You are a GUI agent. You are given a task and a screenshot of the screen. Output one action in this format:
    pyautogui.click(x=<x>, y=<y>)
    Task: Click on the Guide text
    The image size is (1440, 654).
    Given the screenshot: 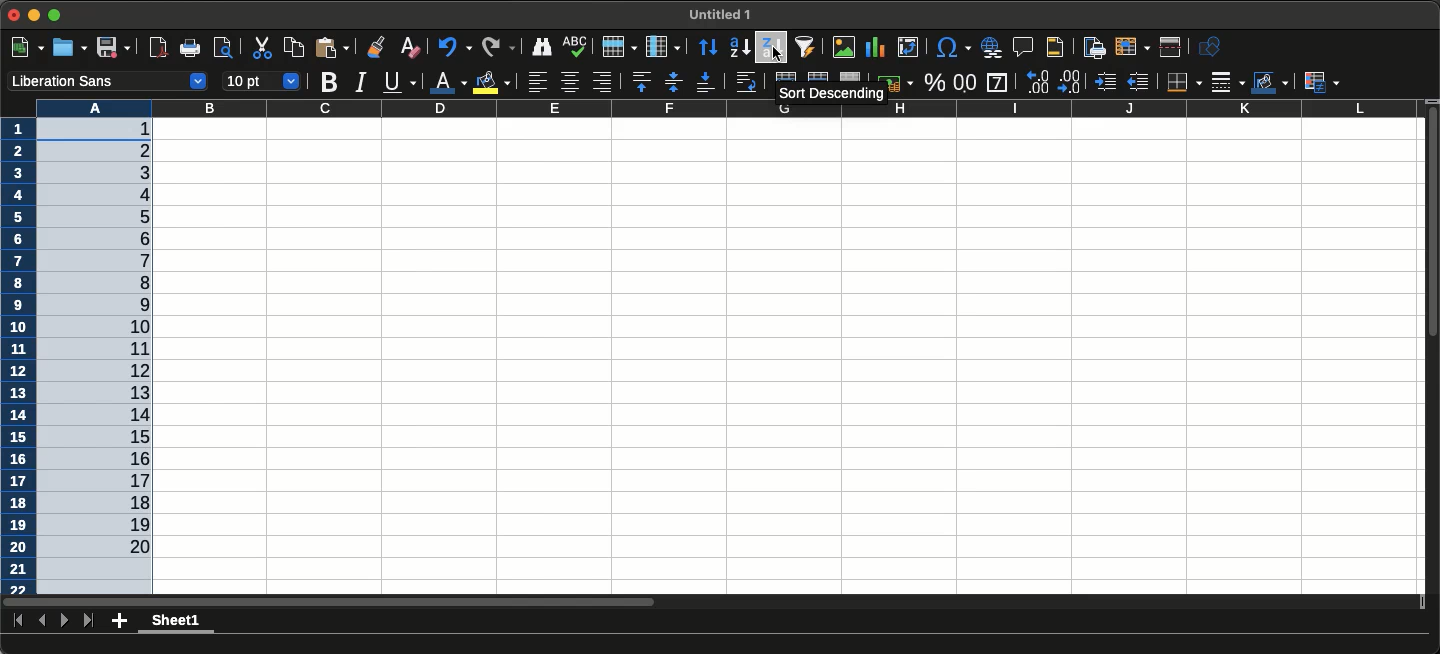 What is the action you would take?
    pyautogui.click(x=831, y=93)
    